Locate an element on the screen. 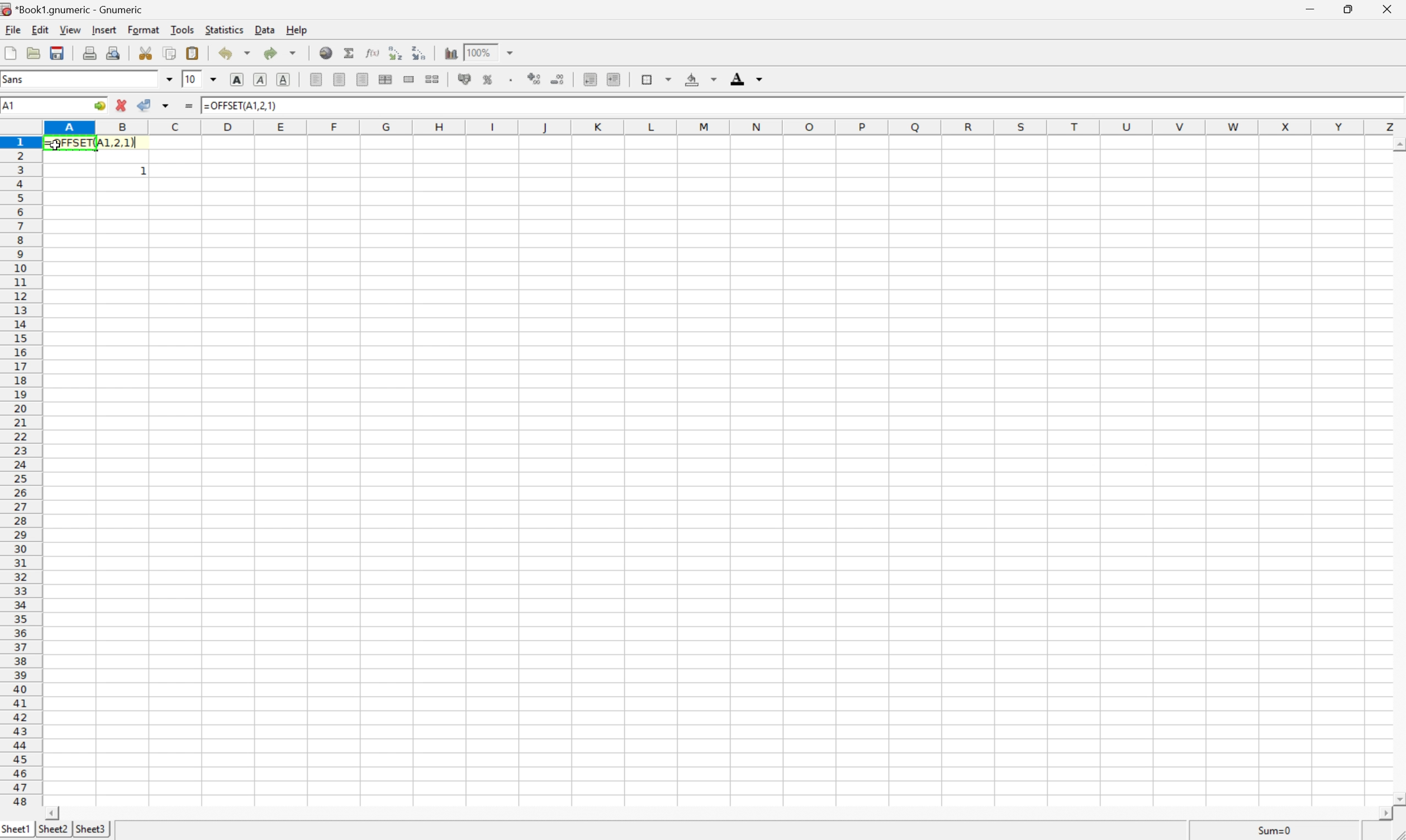 The image size is (1406, 840). format is located at coordinates (143, 31).